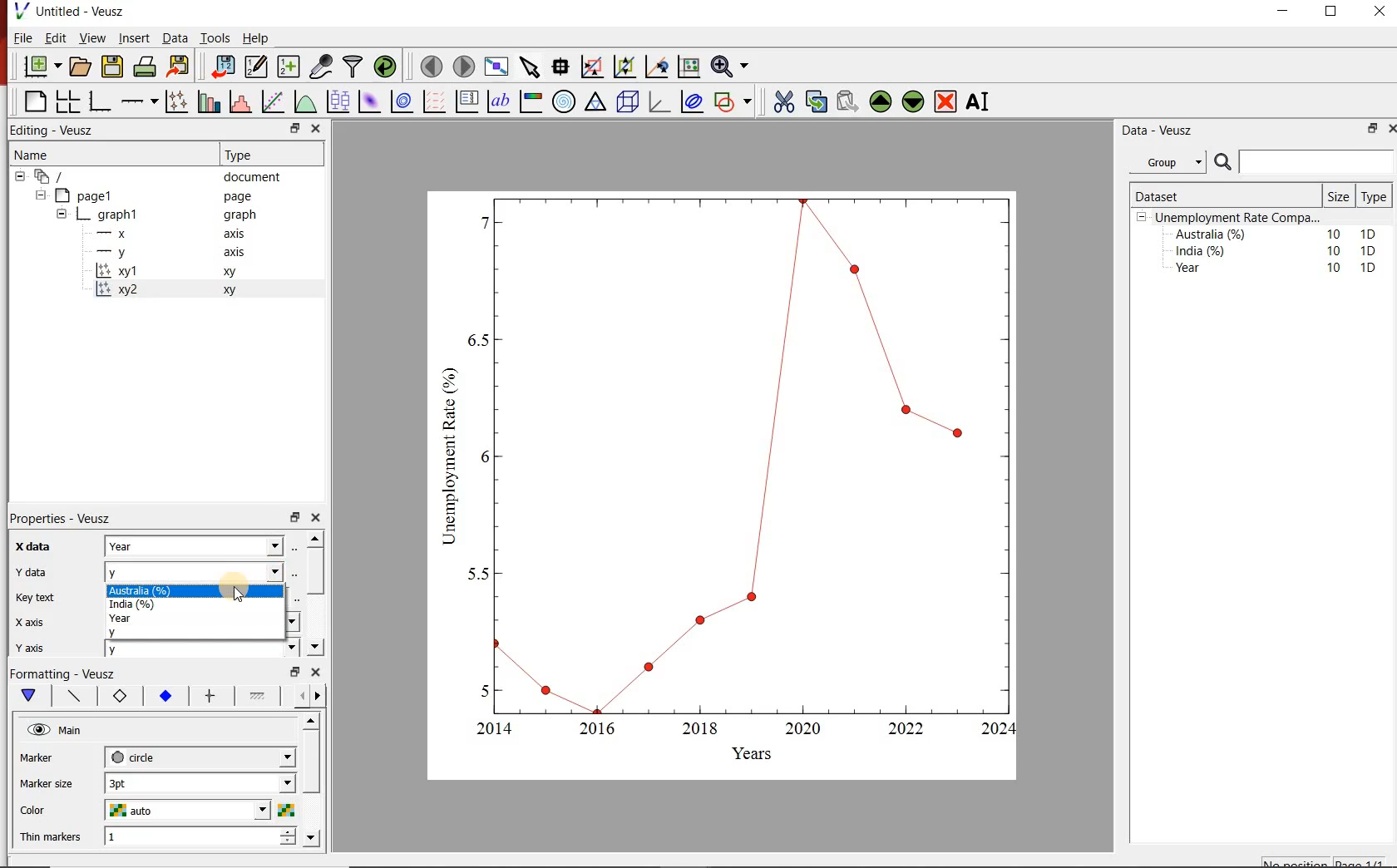 This screenshot has width=1397, height=868. I want to click on caputure remote data, so click(323, 66).